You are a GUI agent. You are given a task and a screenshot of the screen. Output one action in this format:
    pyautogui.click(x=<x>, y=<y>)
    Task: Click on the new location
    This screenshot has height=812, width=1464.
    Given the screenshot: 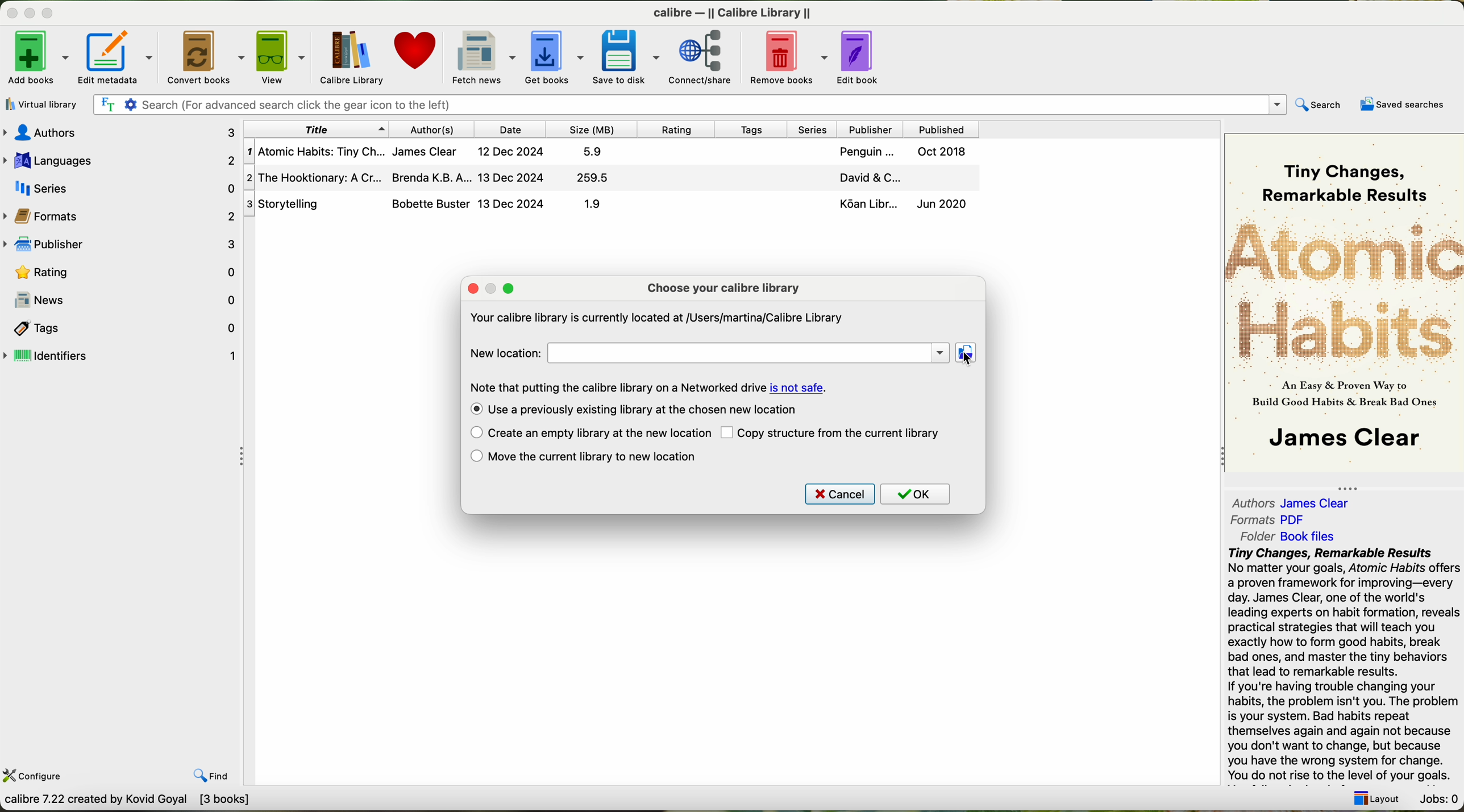 What is the action you would take?
    pyautogui.click(x=748, y=355)
    